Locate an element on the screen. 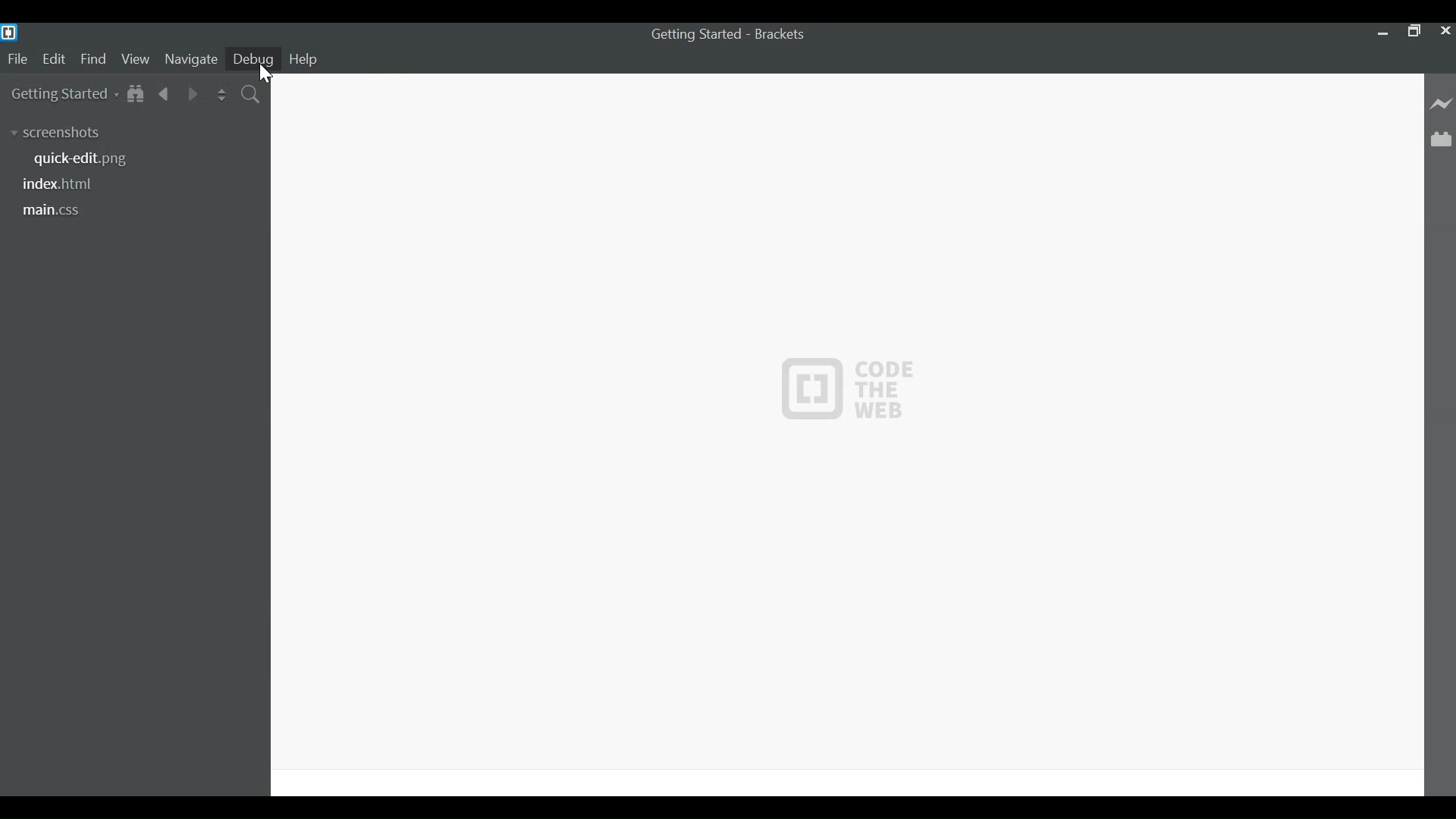  minimize is located at coordinates (1381, 33).